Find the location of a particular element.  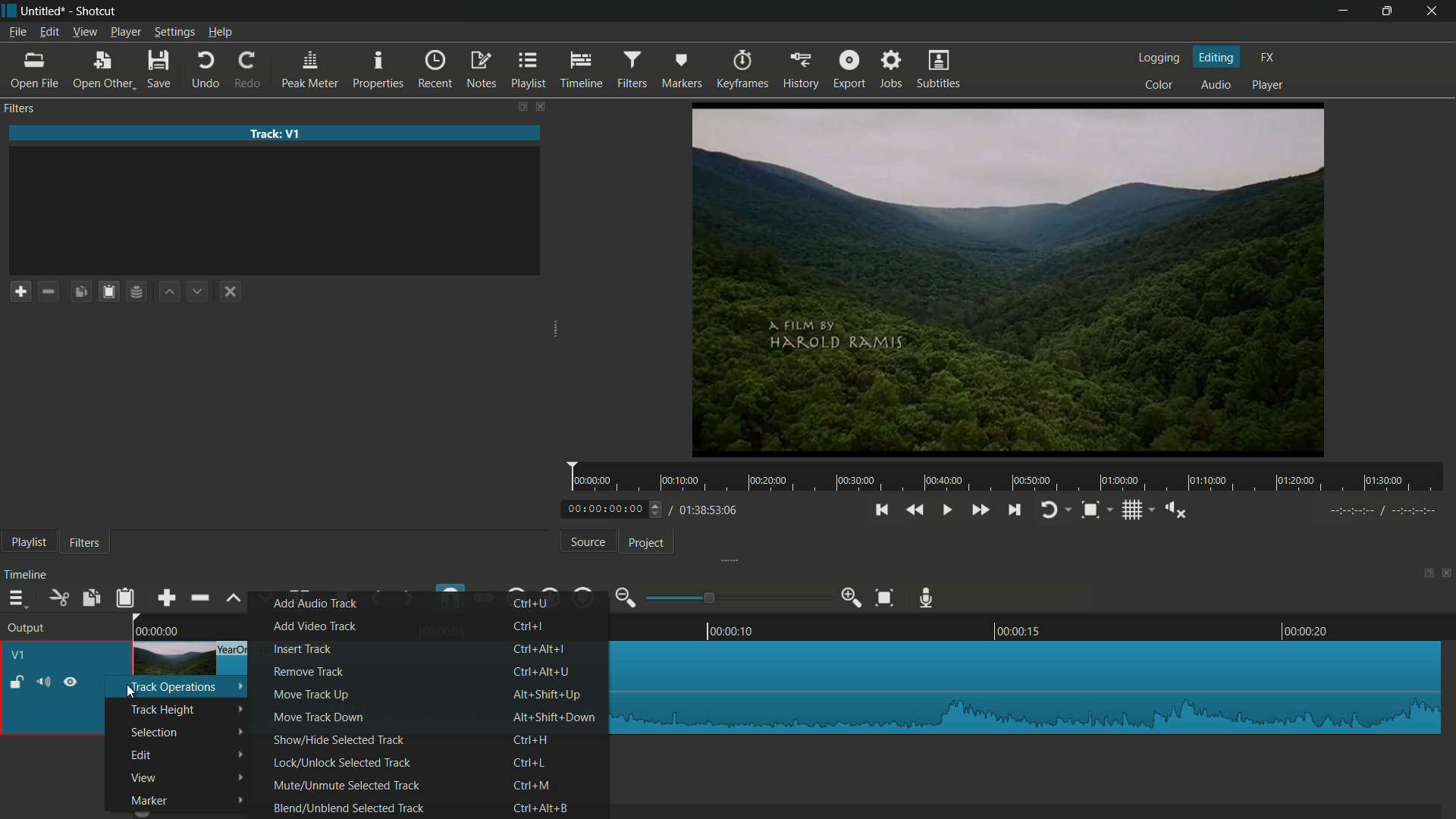

playlist is located at coordinates (28, 541).